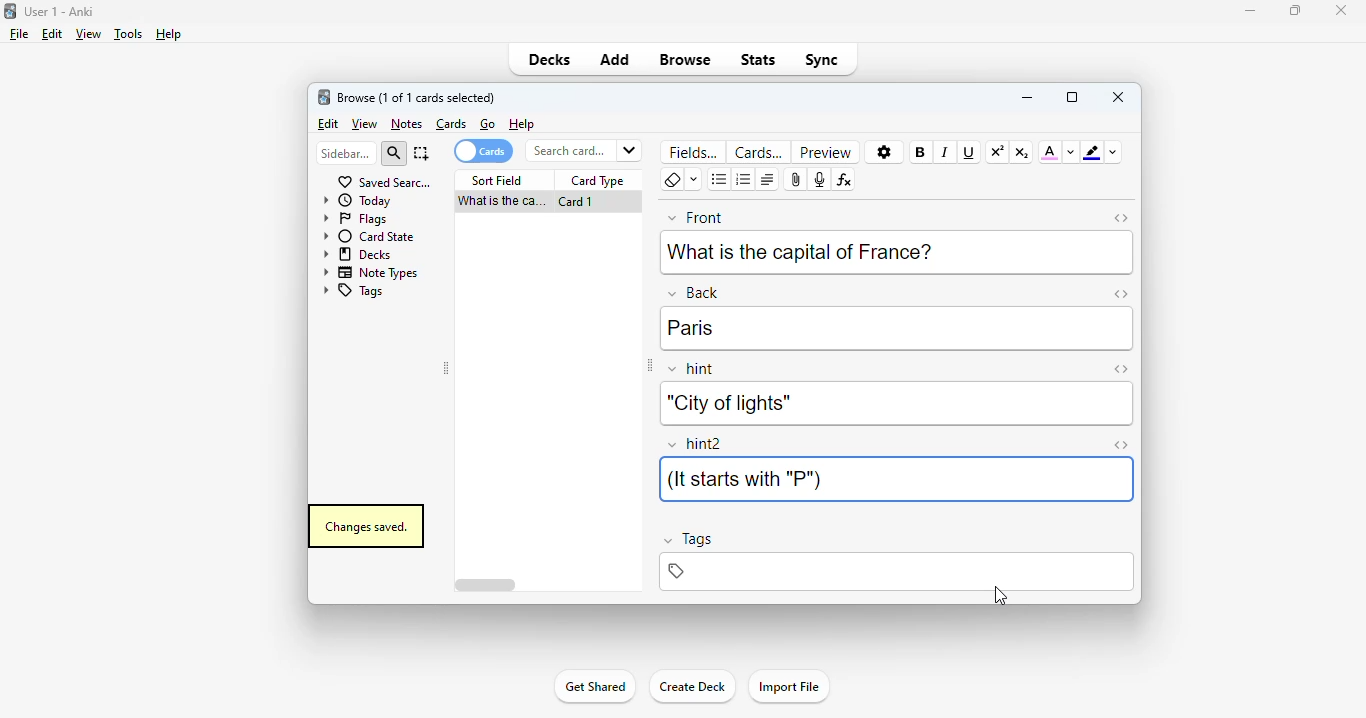 The image size is (1366, 718). Describe the element at coordinates (88, 33) in the screenshot. I see `view` at that location.